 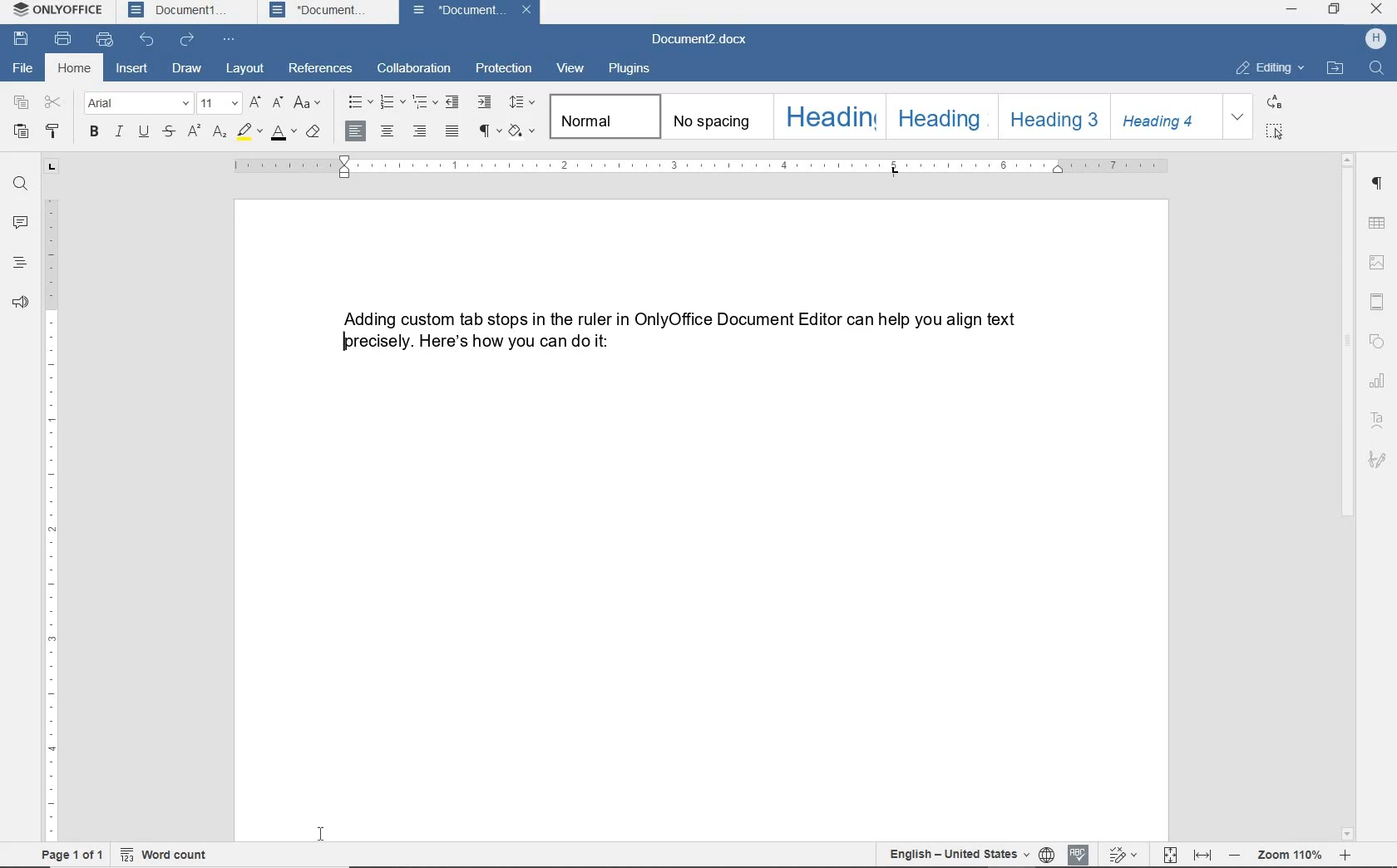 What do you see at coordinates (144, 133) in the screenshot?
I see `underline` at bounding box center [144, 133].